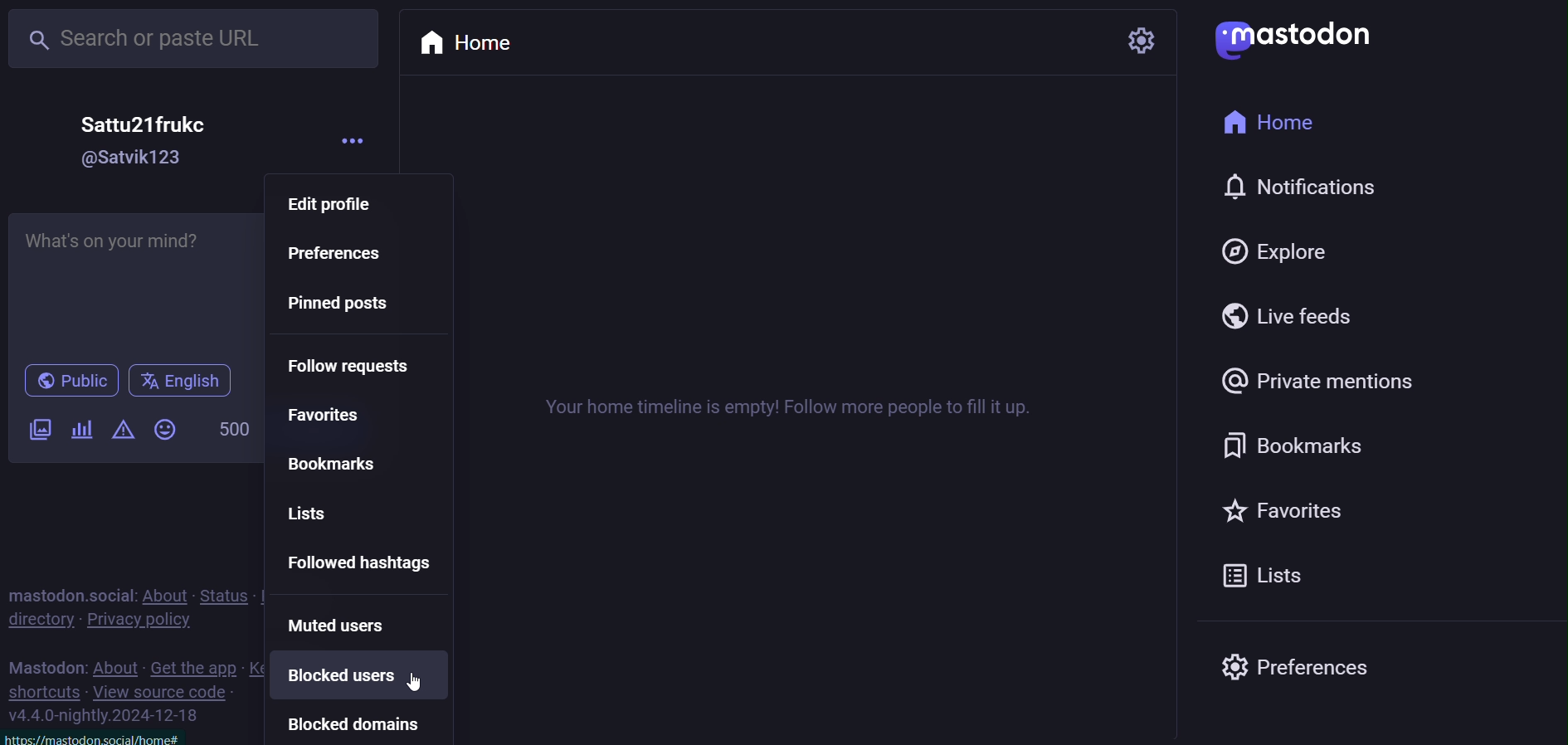 Image resolution: width=1568 pixels, height=745 pixels. What do you see at coordinates (47, 691) in the screenshot?
I see `shorcuts` at bounding box center [47, 691].